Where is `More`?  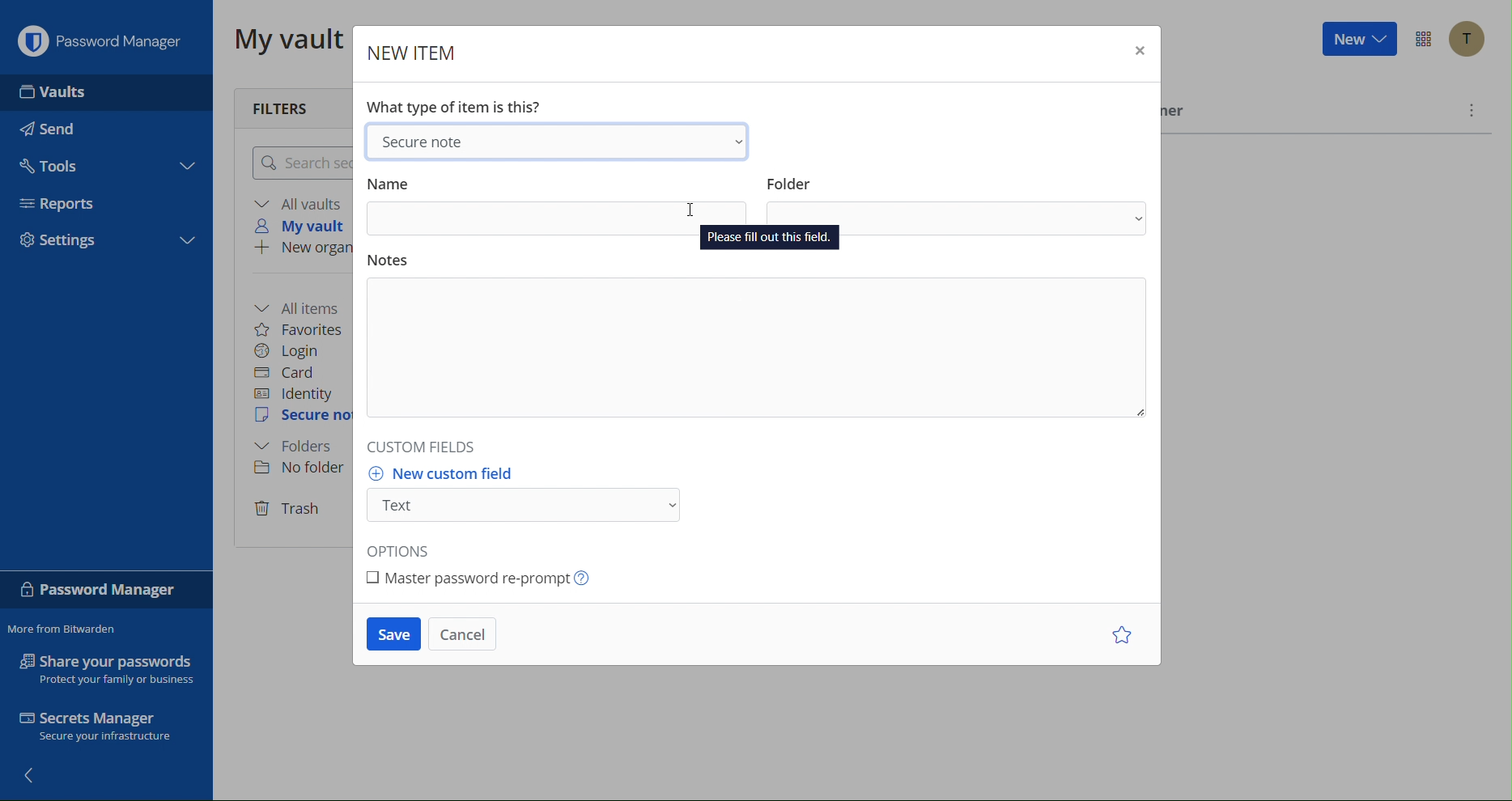
More is located at coordinates (1472, 109).